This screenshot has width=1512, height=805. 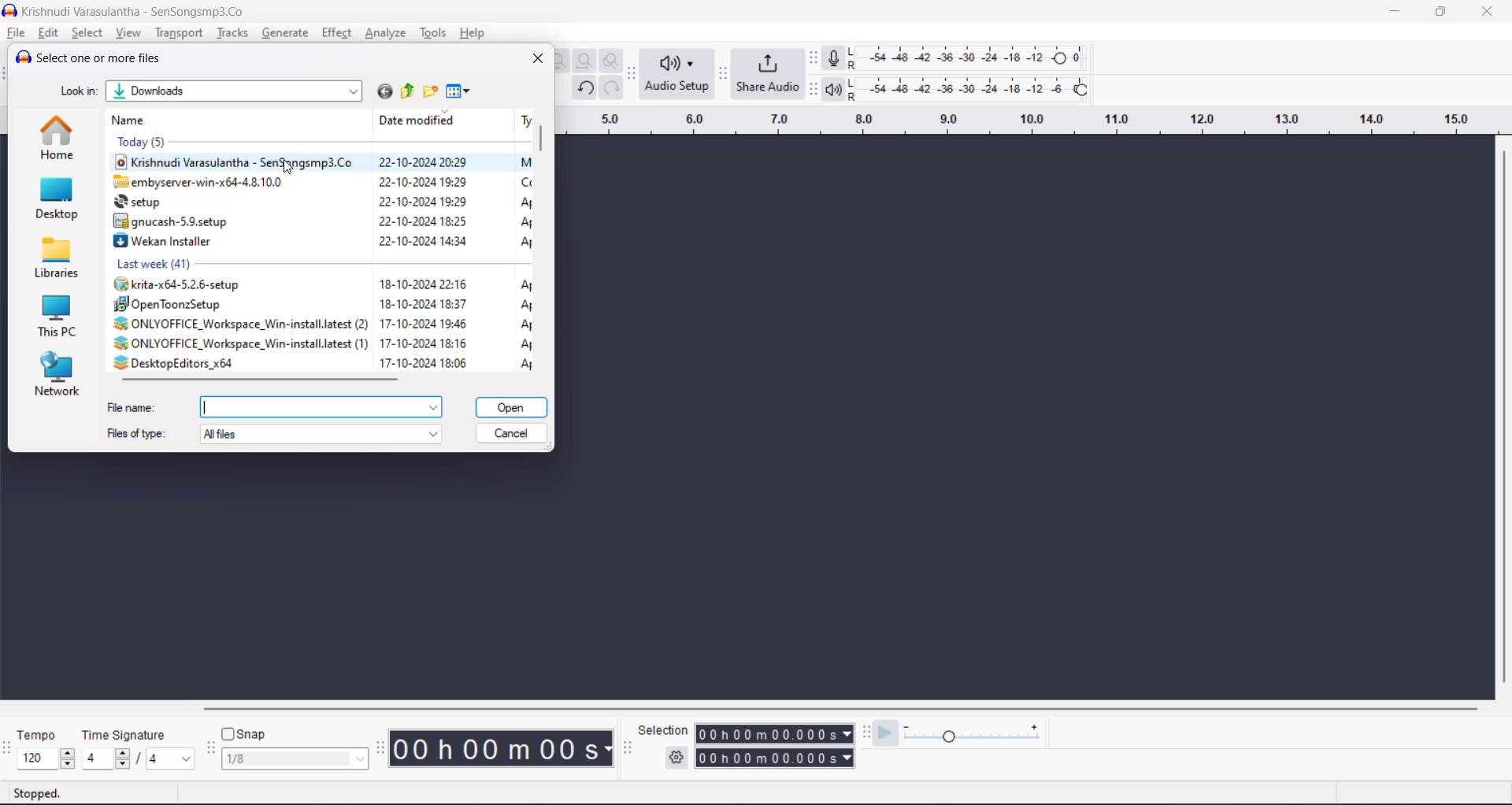 What do you see at coordinates (513, 432) in the screenshot?
I see `cancel` at bounding box center [513, 432].